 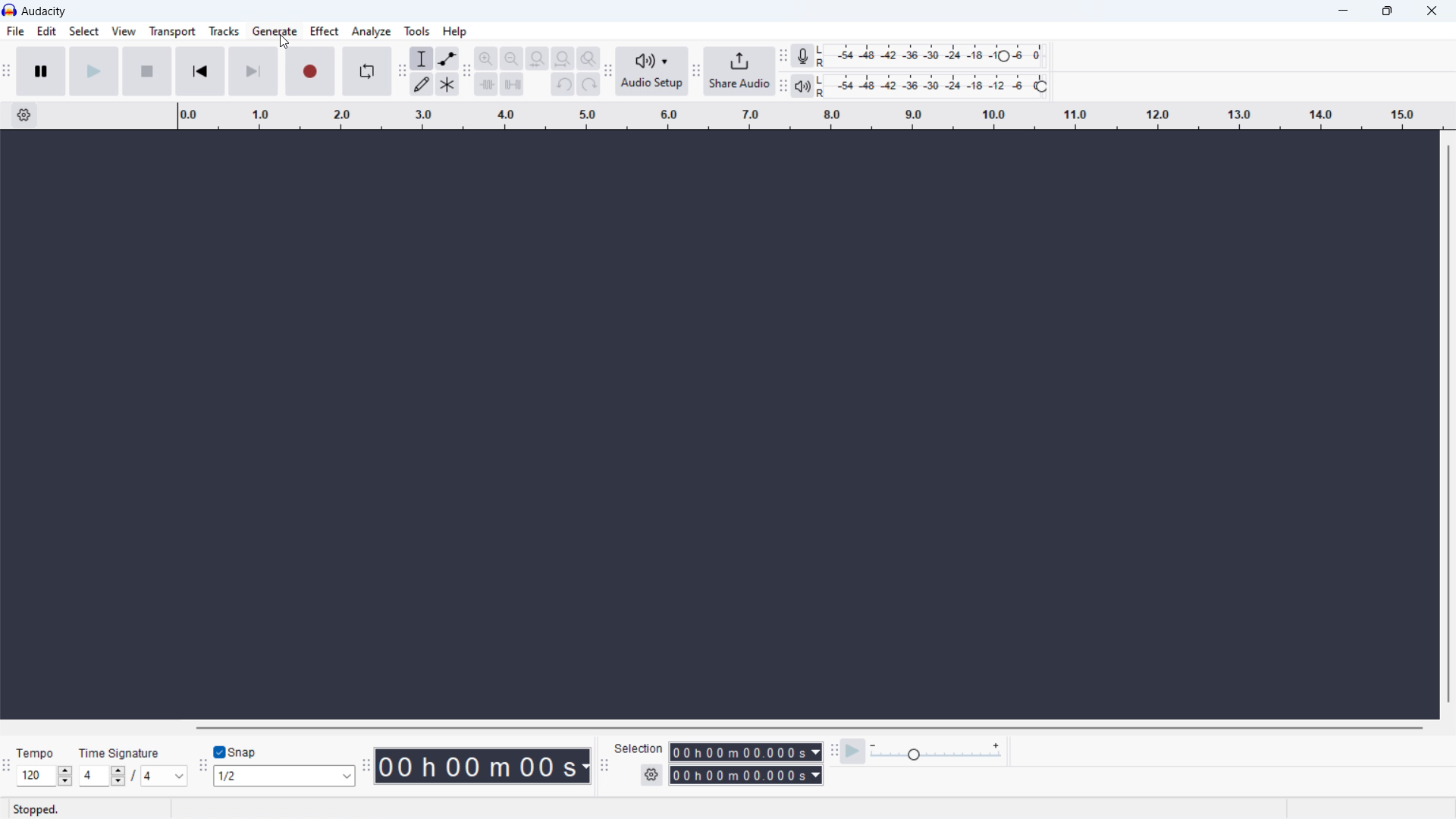 I want to click on analyze, so click(x=372, y=31).